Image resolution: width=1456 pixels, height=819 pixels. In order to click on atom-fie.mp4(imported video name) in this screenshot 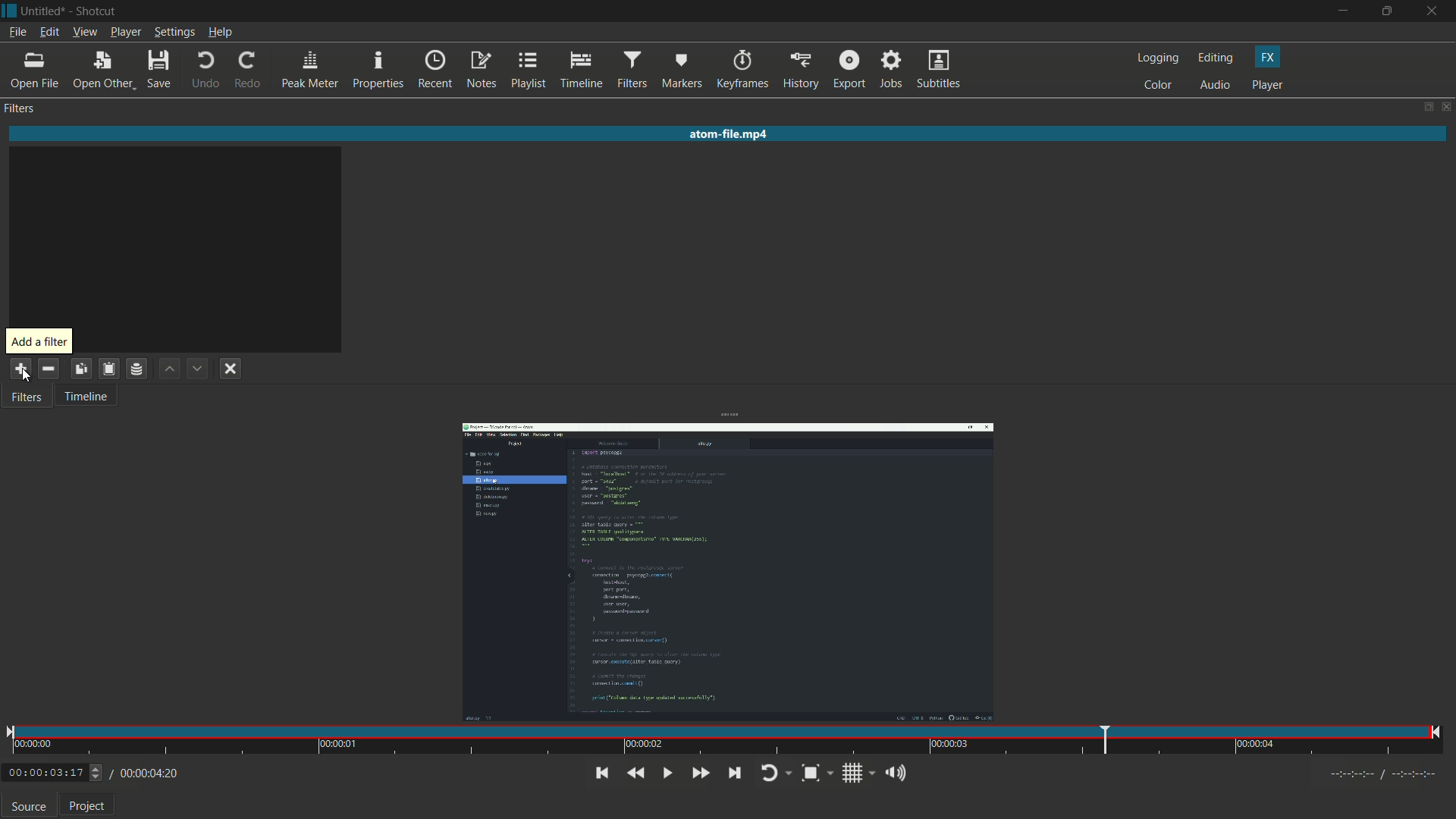, I will do `click(725, 134)`.